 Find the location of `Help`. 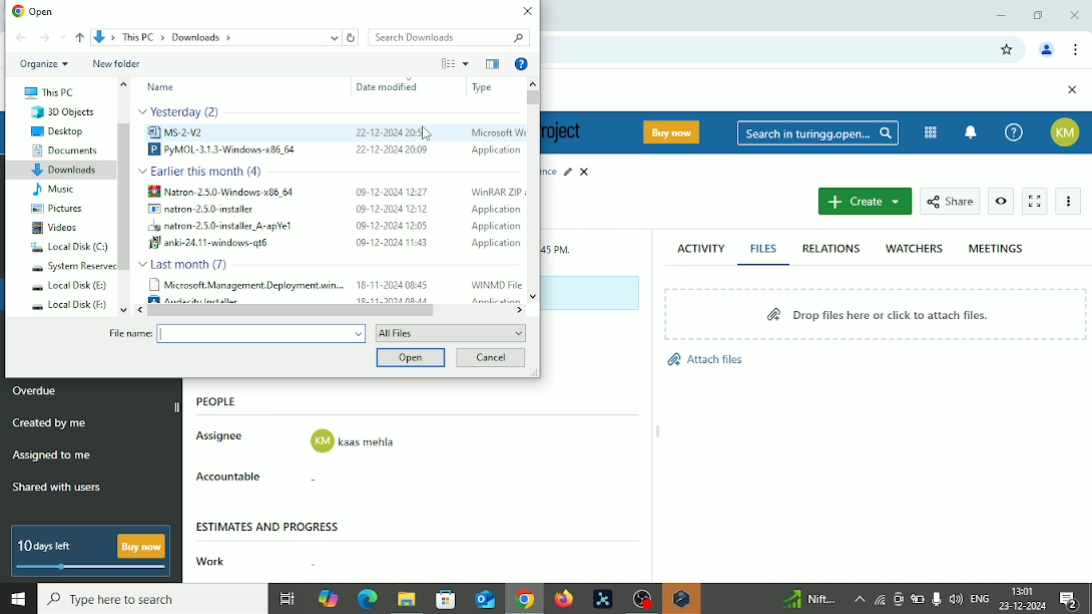

Help is located at coordinates (522, 63).